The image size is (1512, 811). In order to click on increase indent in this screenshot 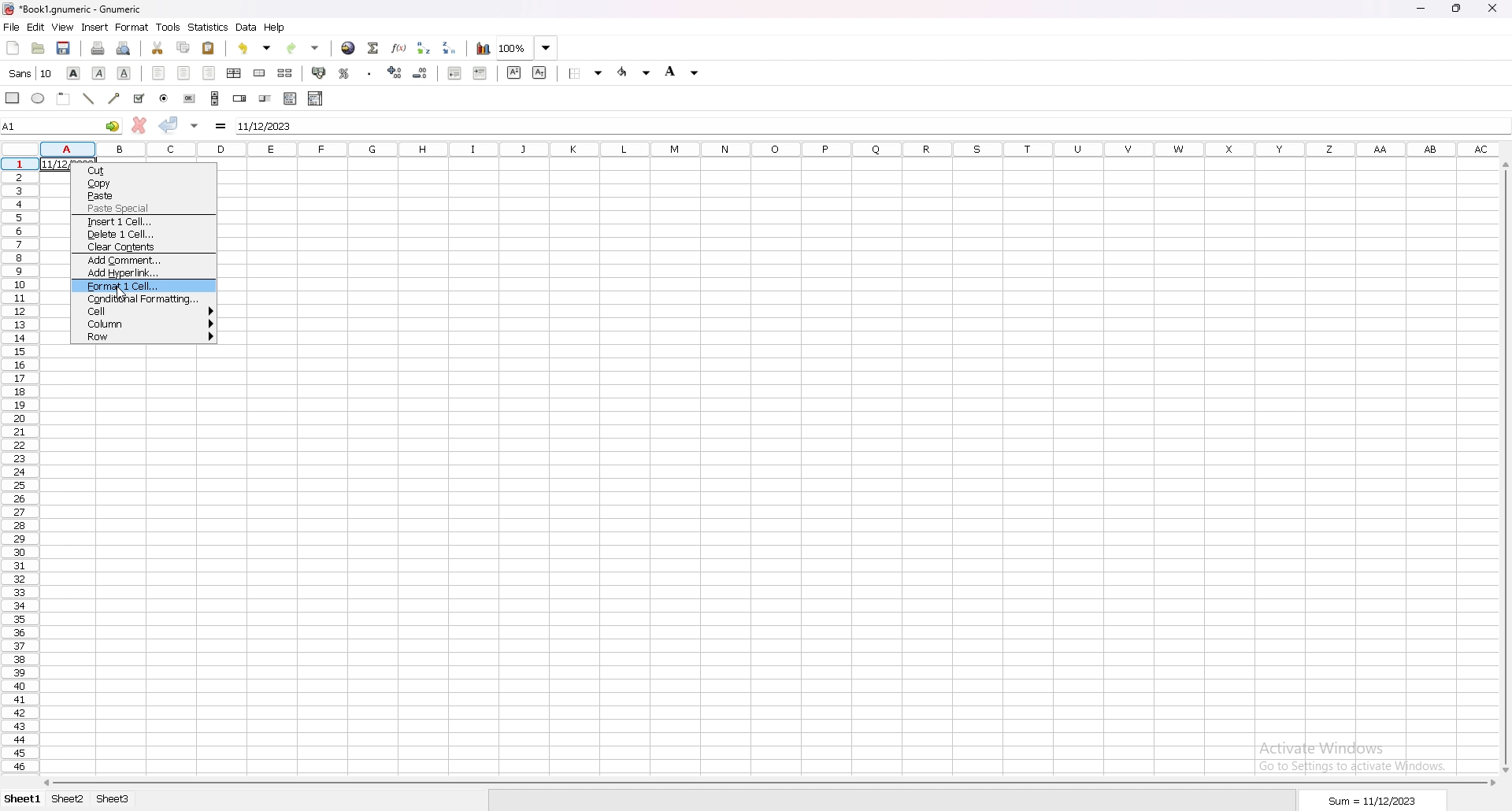, I will do `click(395, 72)`.